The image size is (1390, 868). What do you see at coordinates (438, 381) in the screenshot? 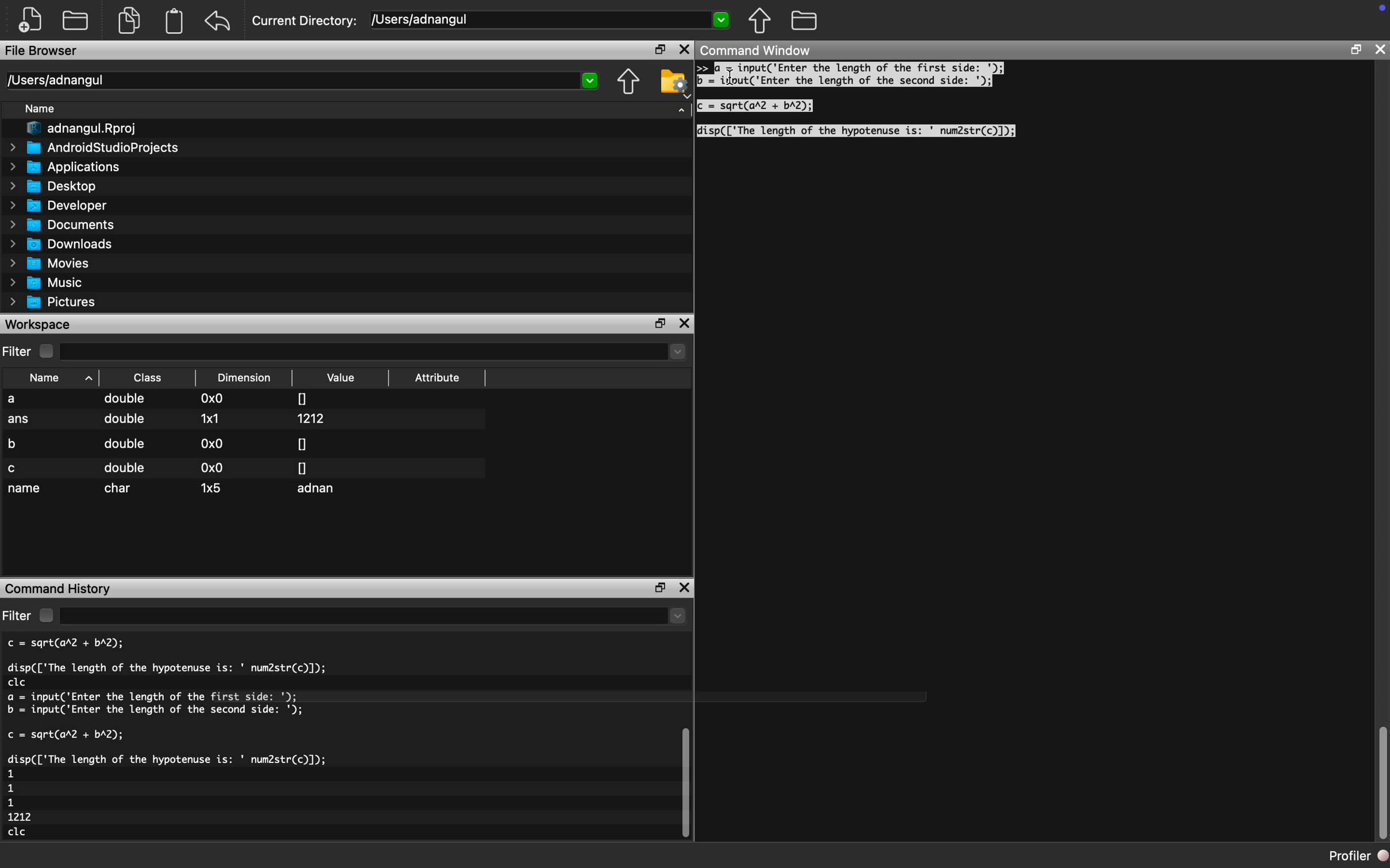
I see `Attribute` at bounding box center [438, 381].